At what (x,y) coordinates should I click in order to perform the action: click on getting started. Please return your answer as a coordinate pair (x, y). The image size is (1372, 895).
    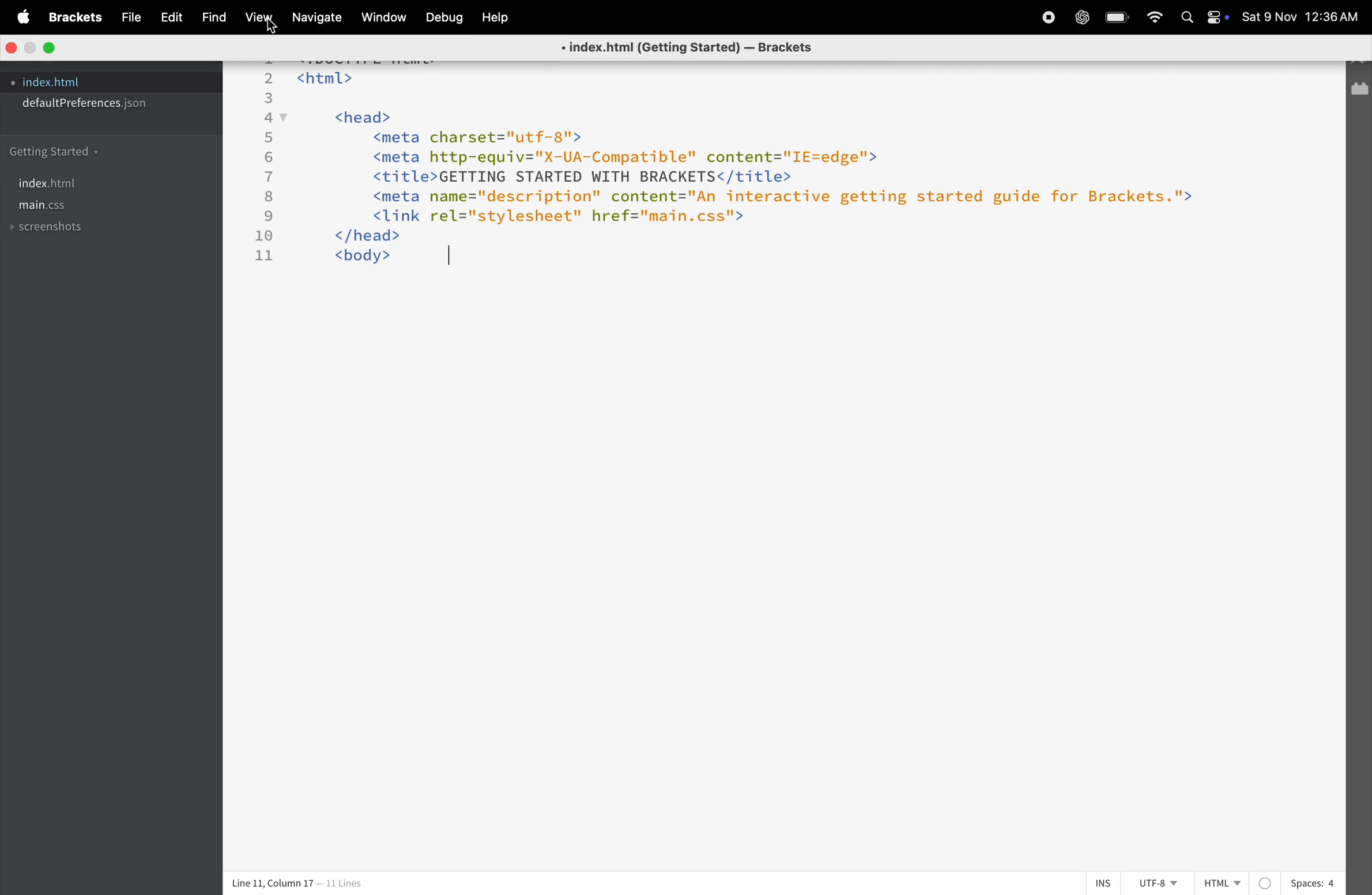
    Looking at the image, I should click on (61, 149).